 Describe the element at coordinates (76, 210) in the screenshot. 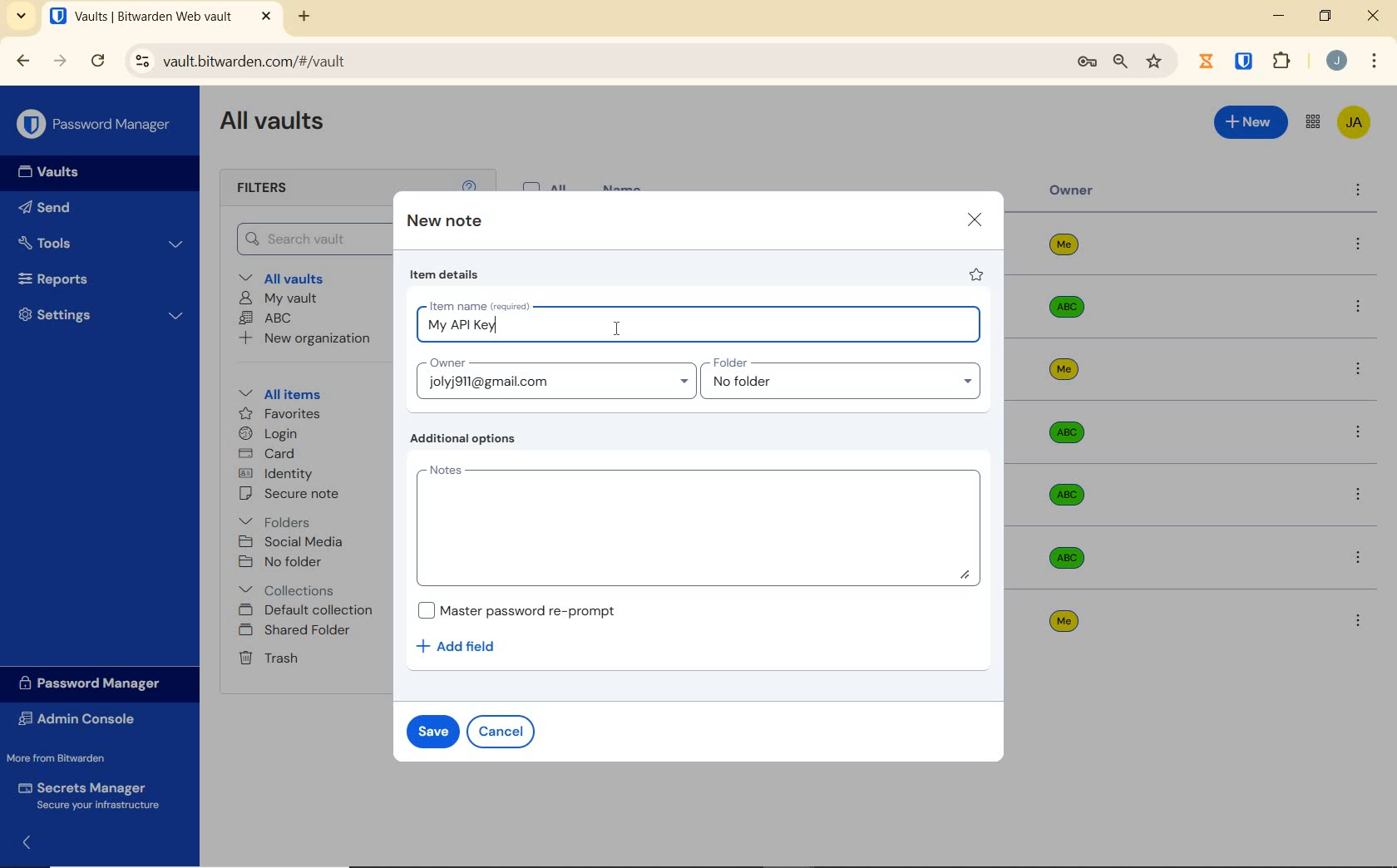

I see `Send` at that location.